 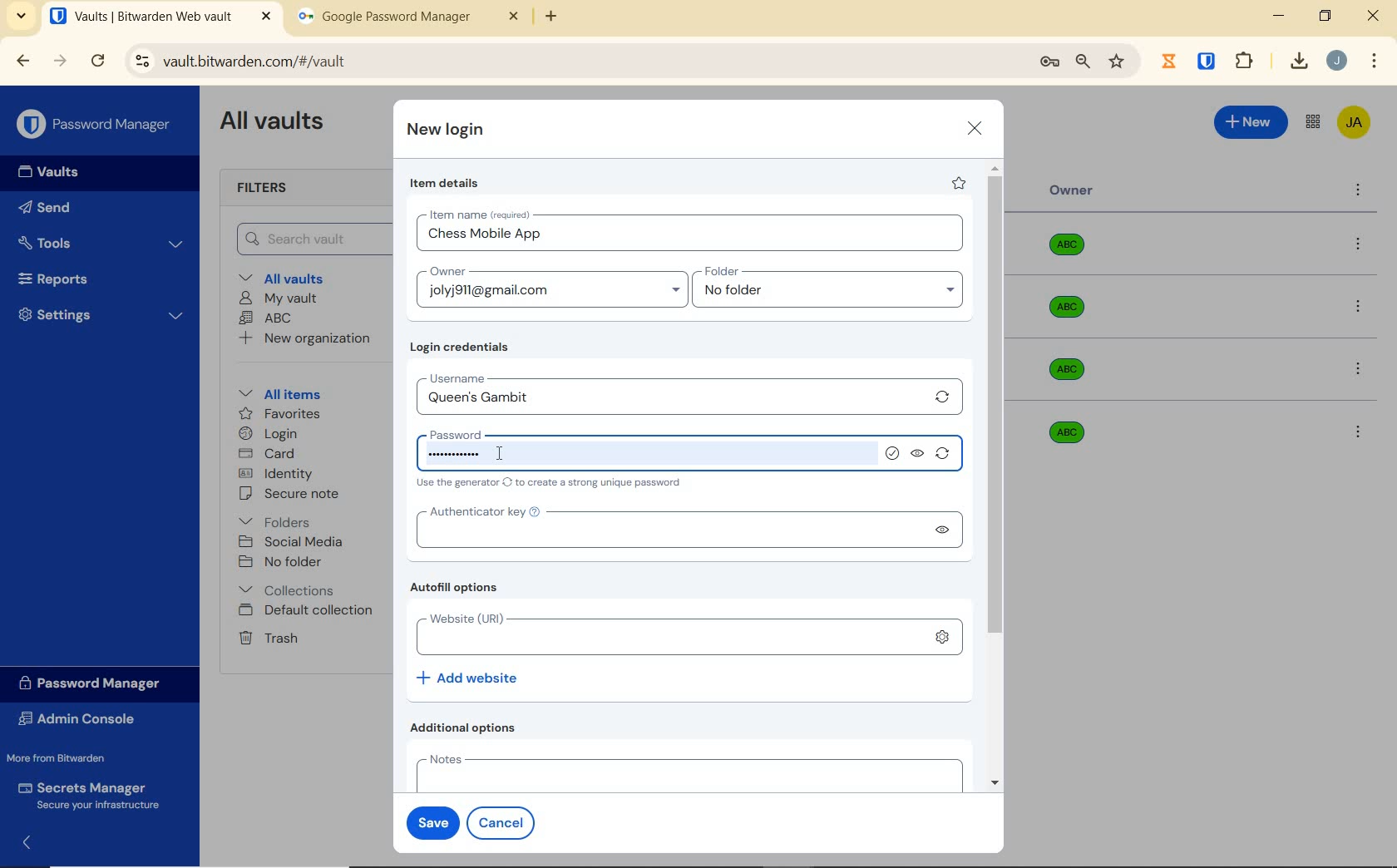 I want to click on manage passwords, so click(x=1049, y=62).